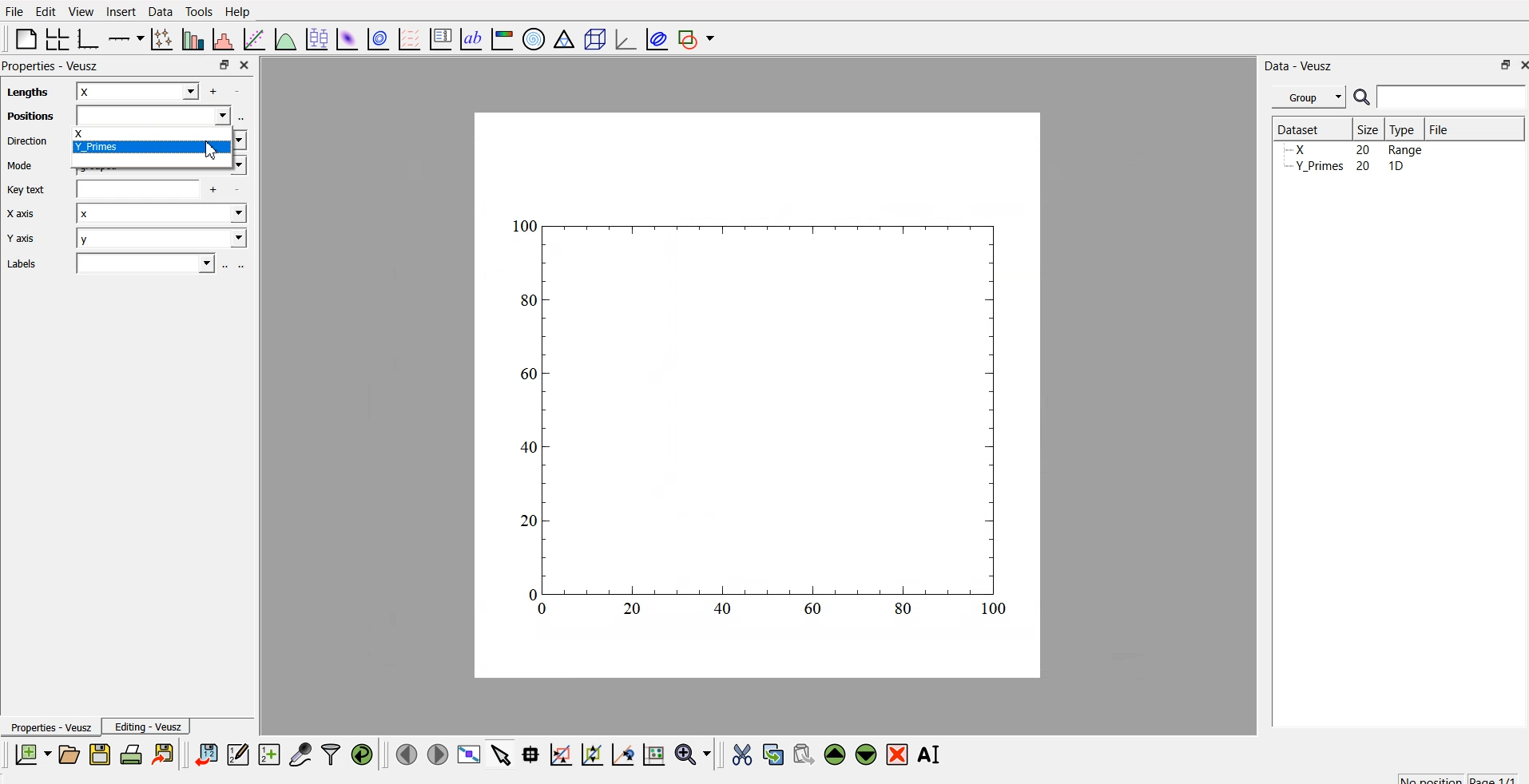 The height and width of the screenshot is (784, 1529). Describe the element at coordinates (624, 39) in the screenshot. I see `3D graph` at that location.